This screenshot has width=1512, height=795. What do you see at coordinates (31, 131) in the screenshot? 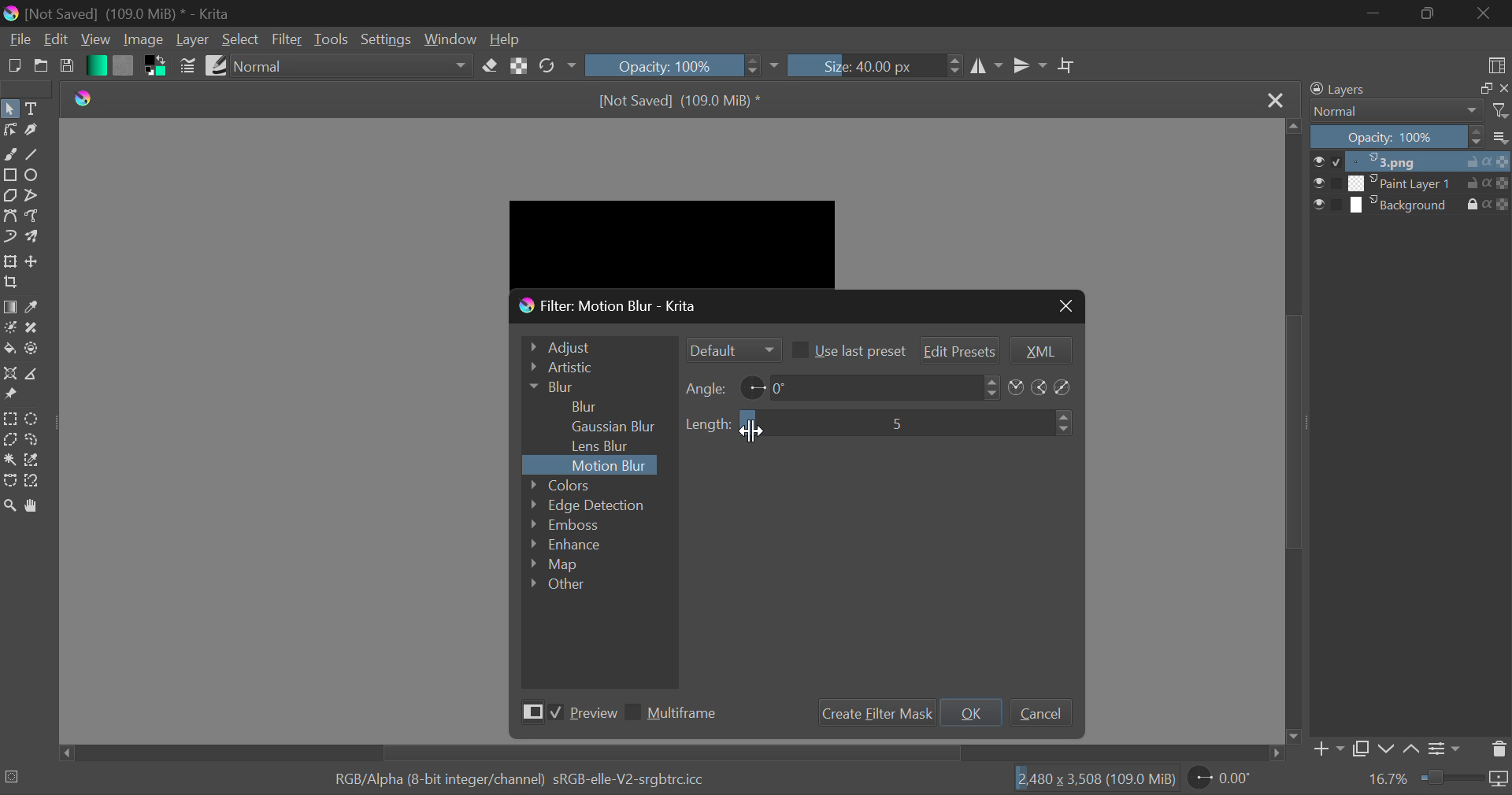
I see `Calligraphic Tool` at bounding box center [31, 131].